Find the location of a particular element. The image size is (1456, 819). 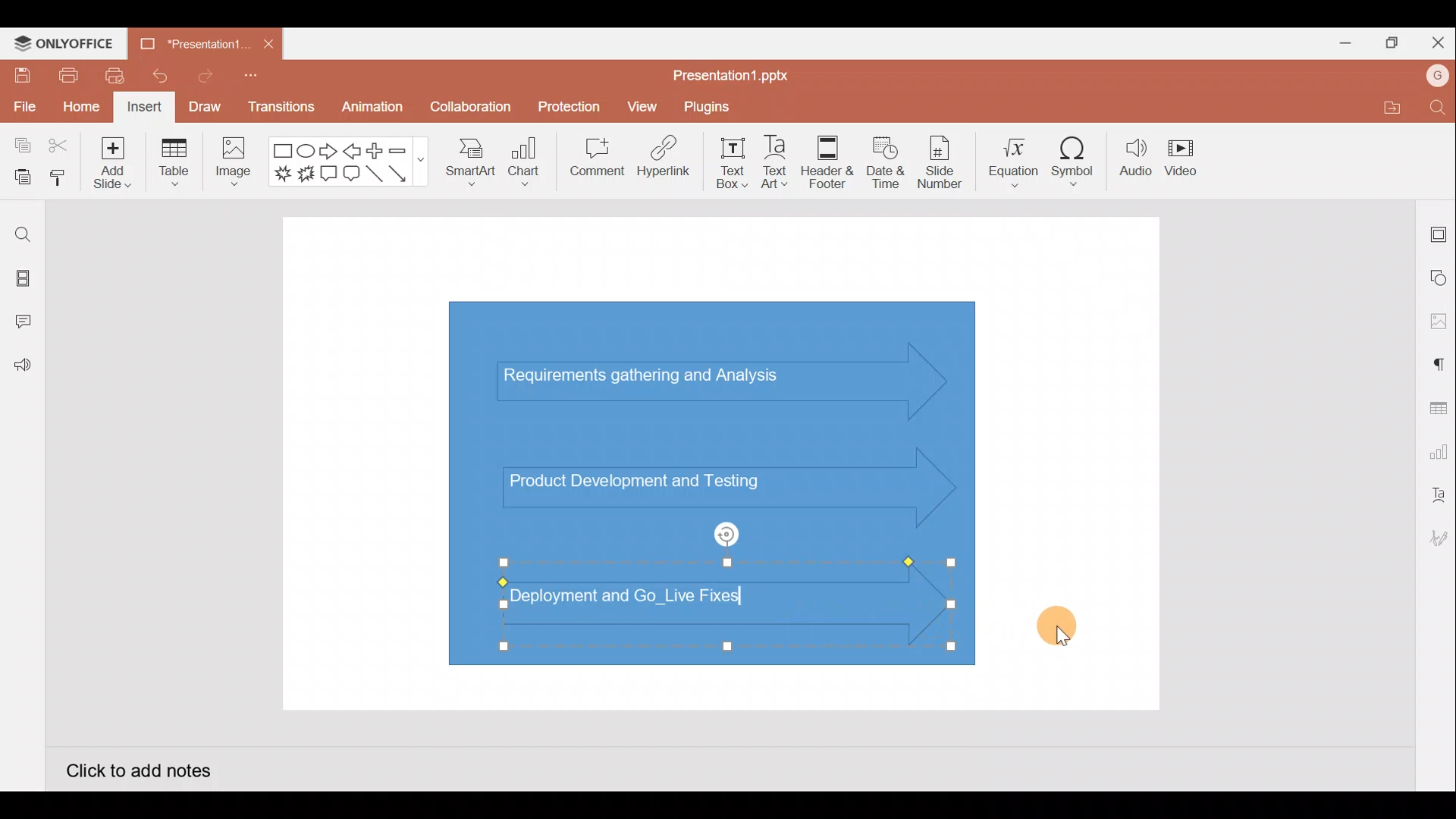

Shape settings is located at coordinates (1439, 277).